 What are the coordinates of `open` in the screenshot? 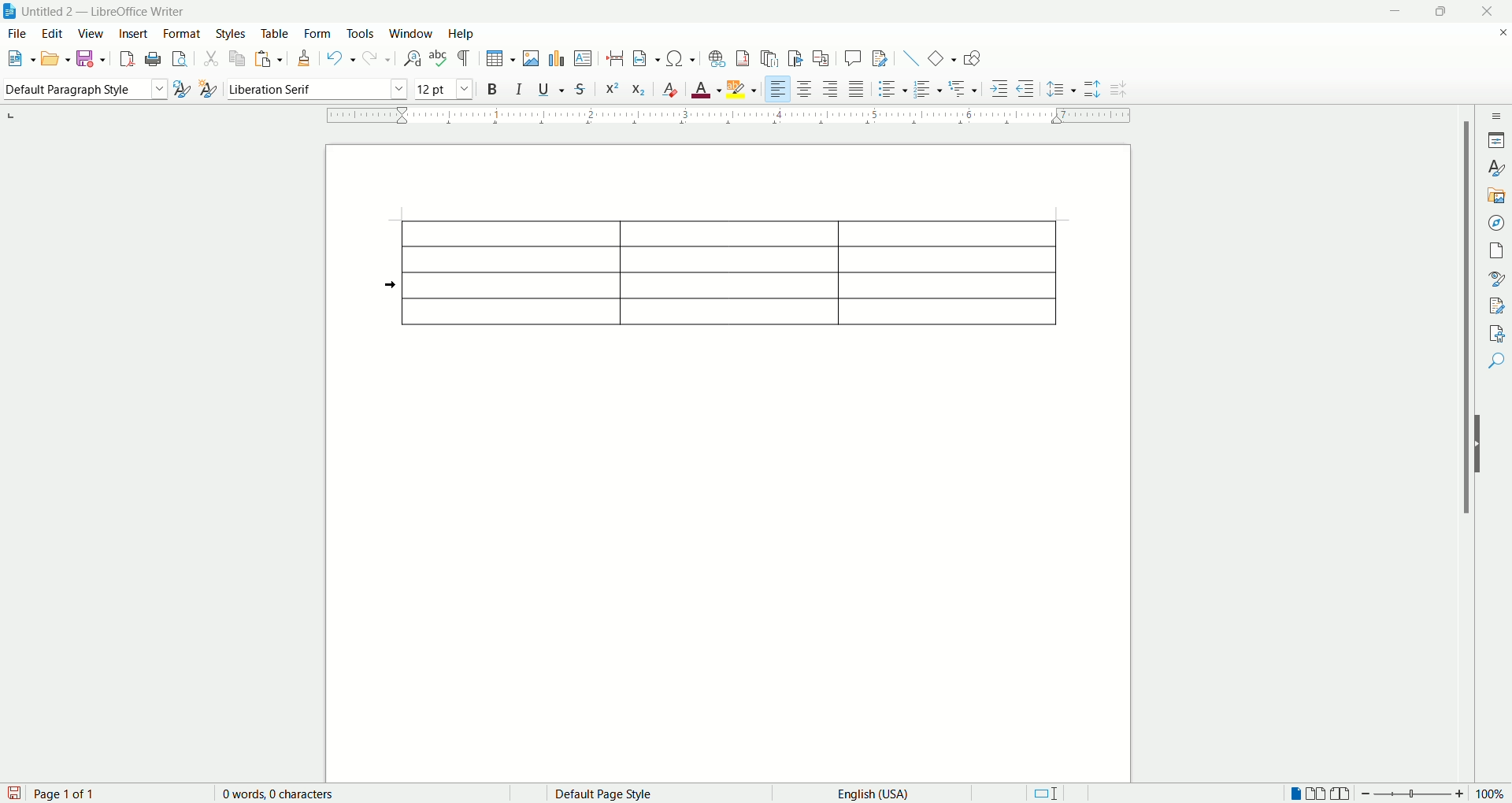 It's located at (56, 60).